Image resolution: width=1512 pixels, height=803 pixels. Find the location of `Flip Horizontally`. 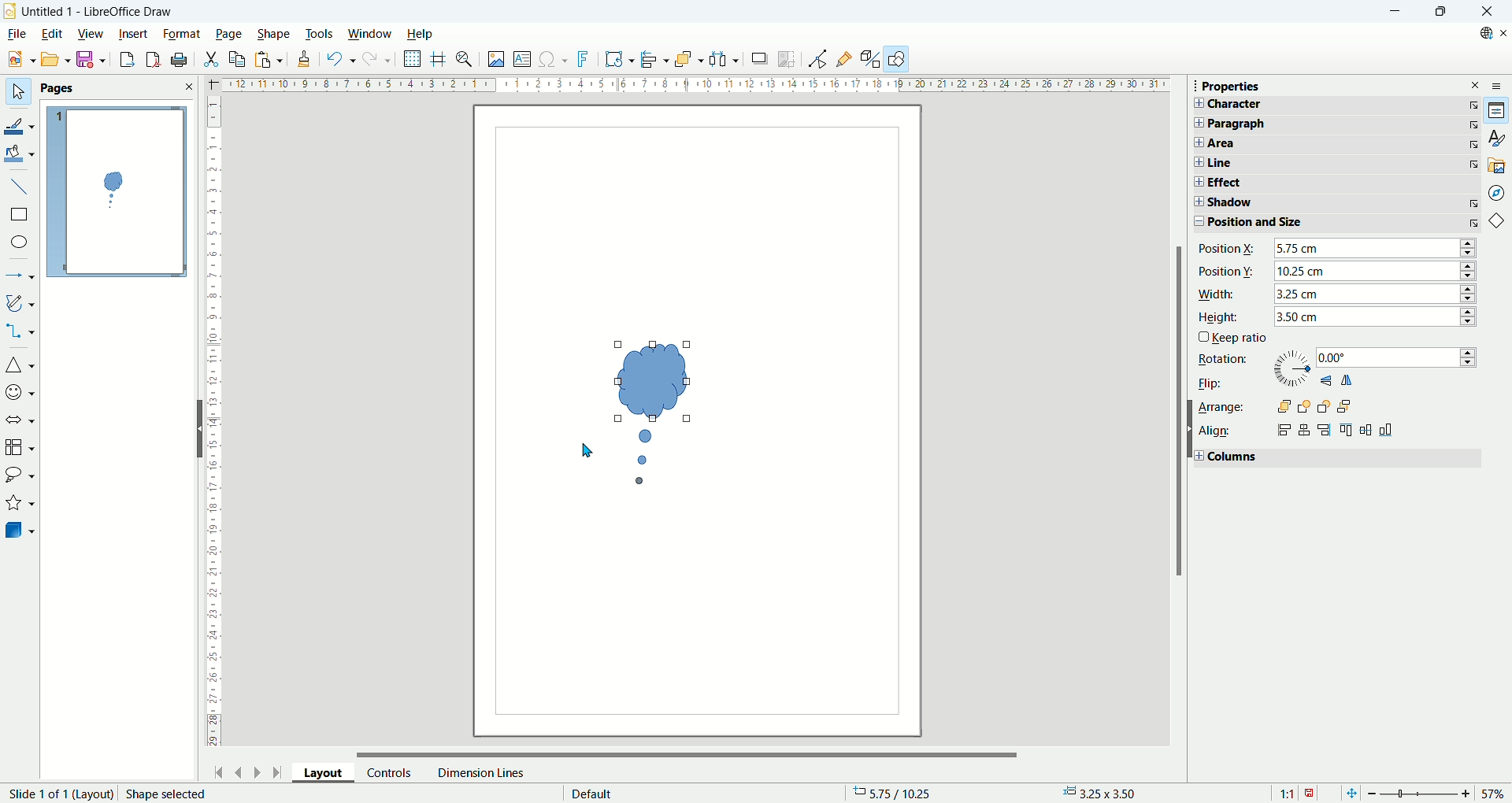

Flip Horizontally is located at coordinates (1347, 379).